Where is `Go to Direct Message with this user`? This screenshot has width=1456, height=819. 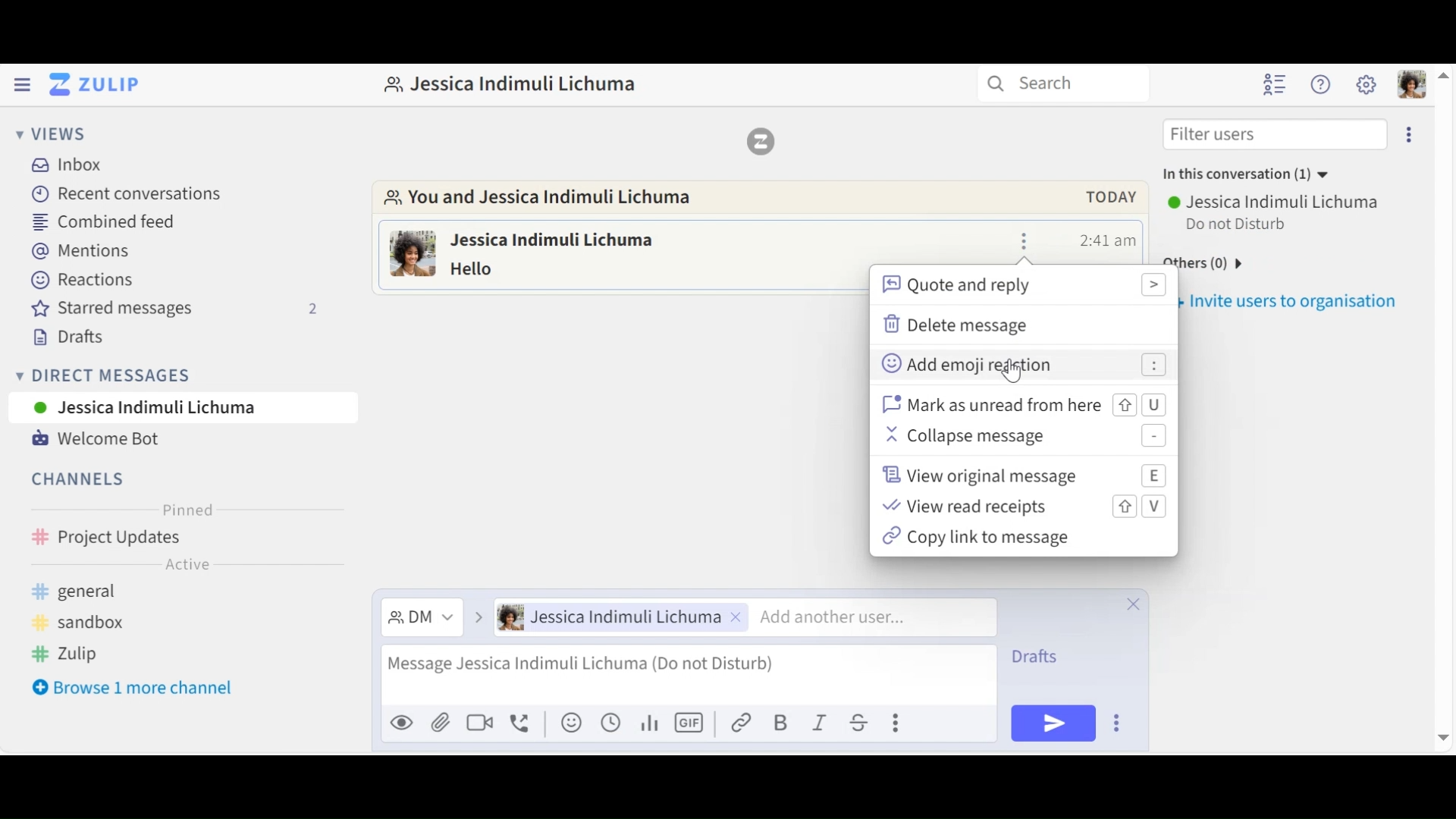
Go to Direct Message with this user is located at coordinates (549, 200).